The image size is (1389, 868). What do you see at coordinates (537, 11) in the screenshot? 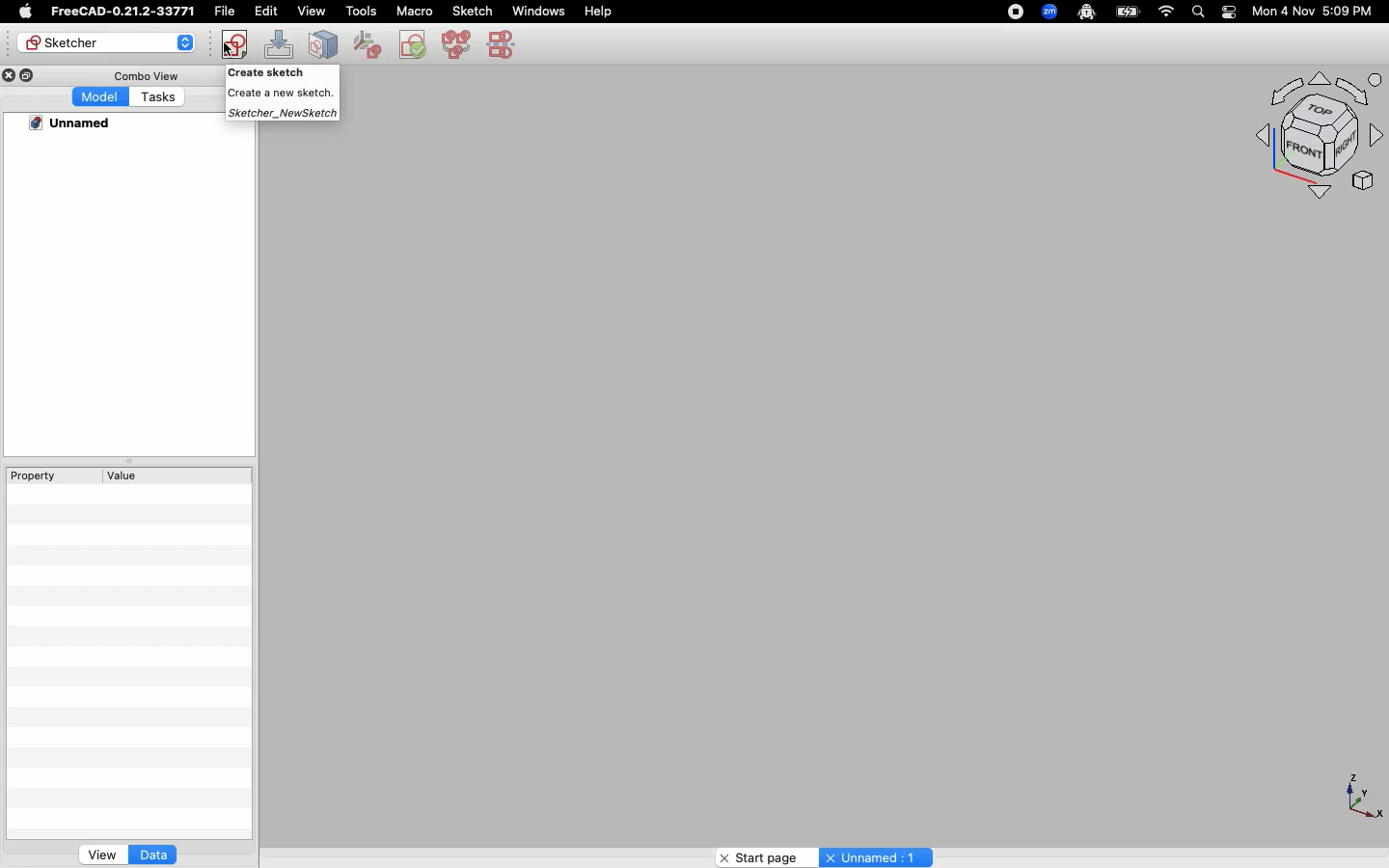
I see `Windows` at bounding box center [537, 11].